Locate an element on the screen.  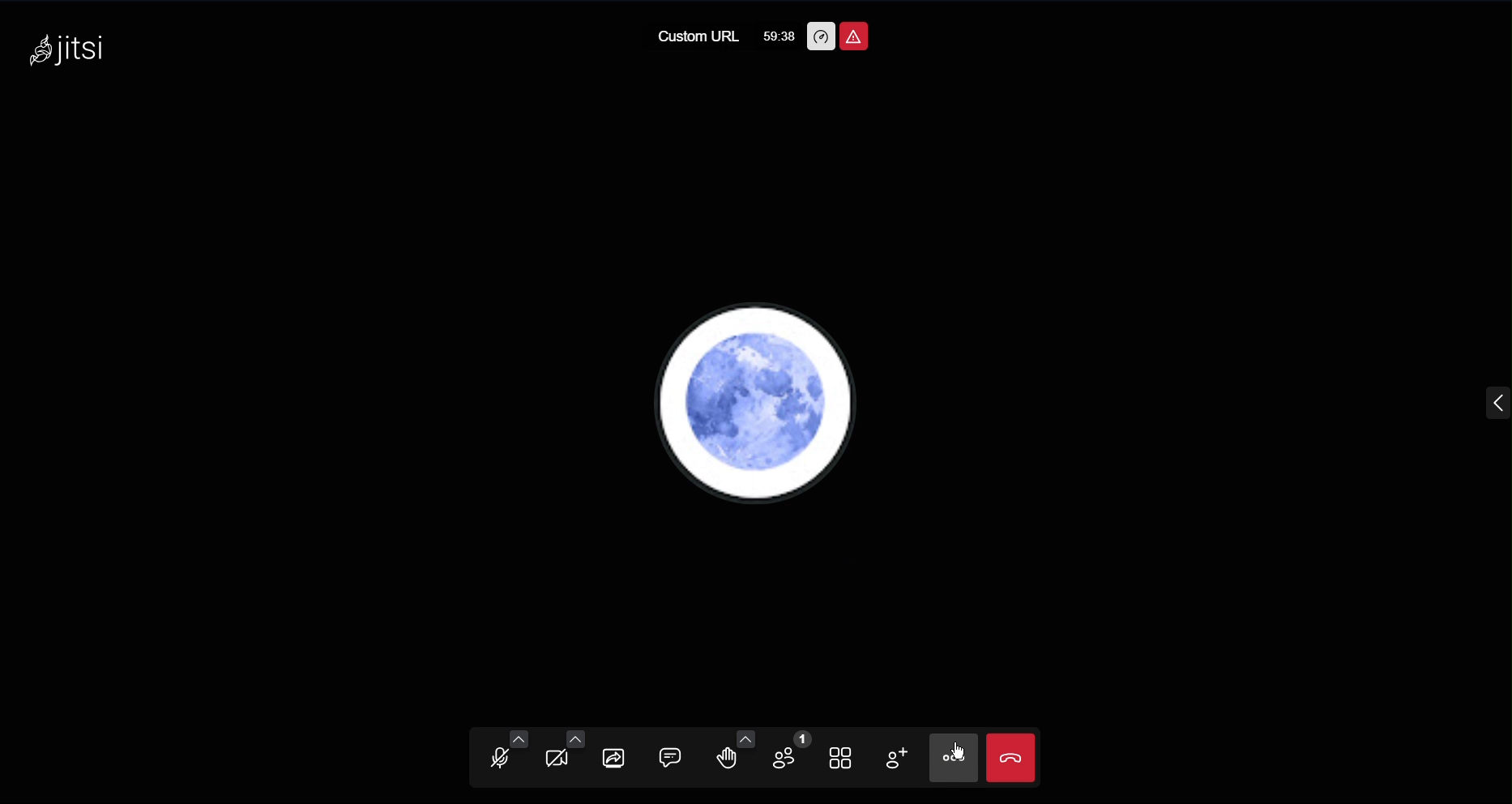
Video is located at coordinates (562, 755).